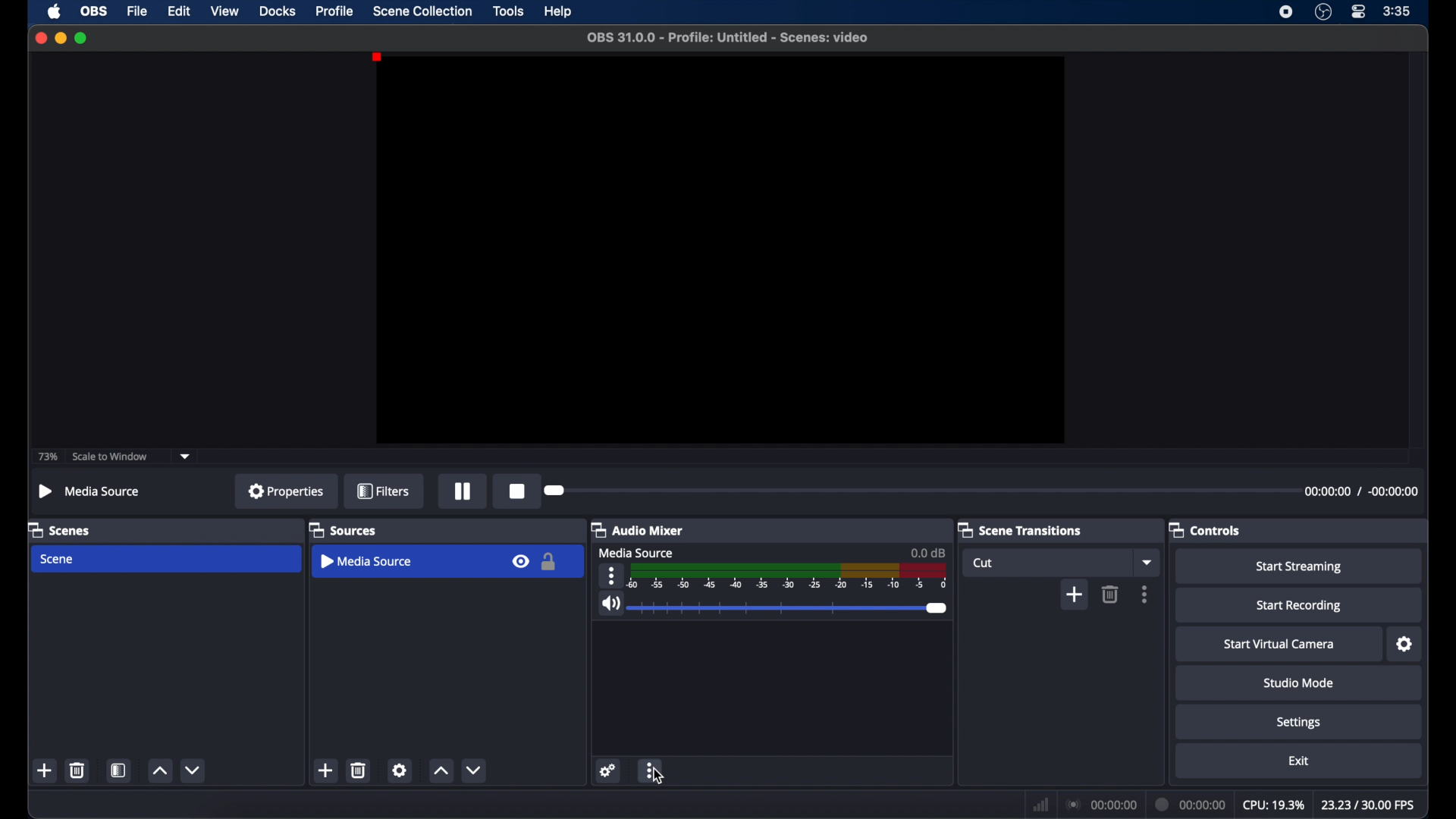  What do you see at coordinates (1019, 529) in the screenshot?
I see `scene transitions` at bounding box center [1019, 529].